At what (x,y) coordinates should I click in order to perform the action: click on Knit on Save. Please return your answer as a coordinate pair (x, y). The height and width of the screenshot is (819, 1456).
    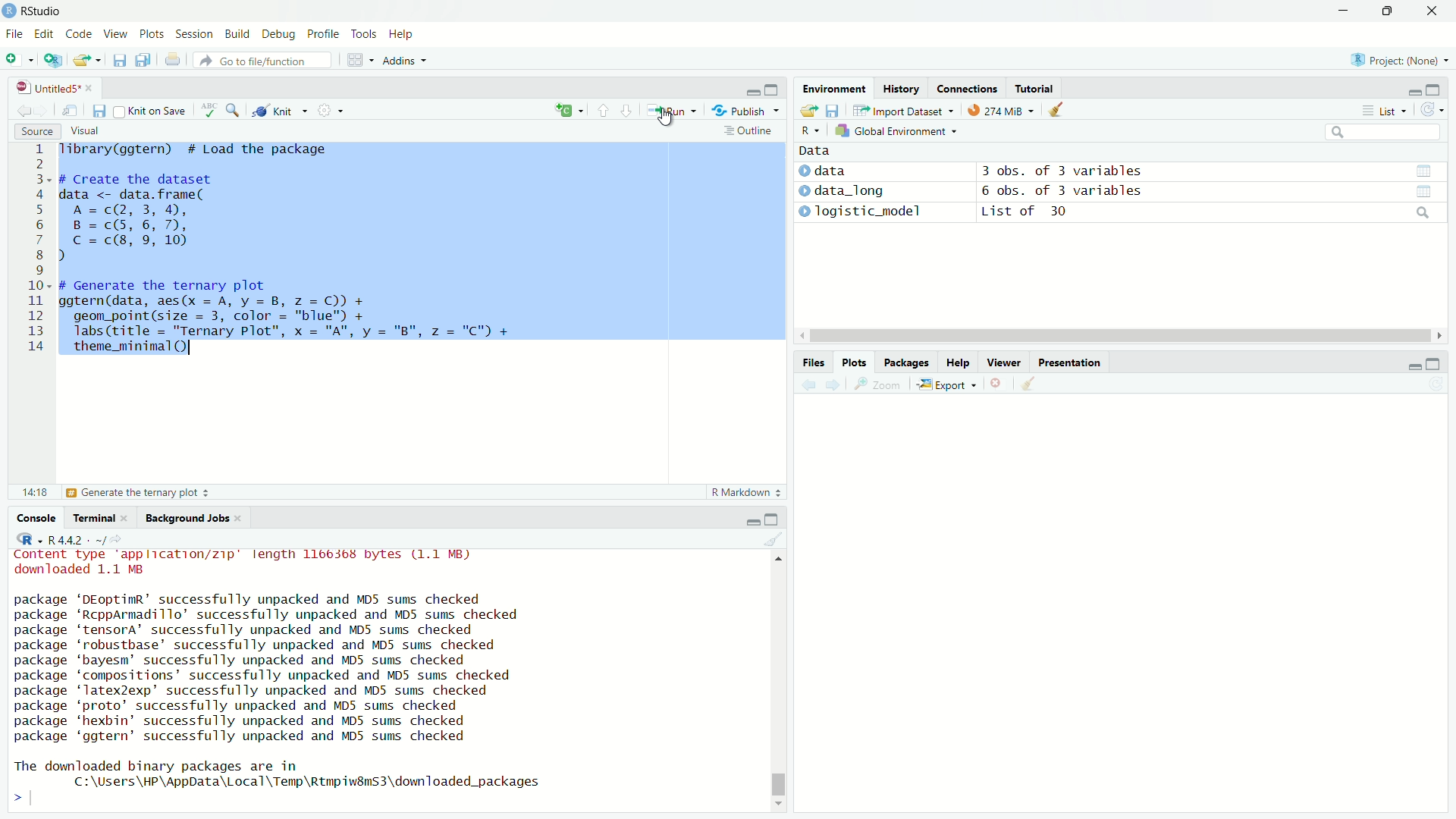
    Looking at the image, I should click on (156, 111).